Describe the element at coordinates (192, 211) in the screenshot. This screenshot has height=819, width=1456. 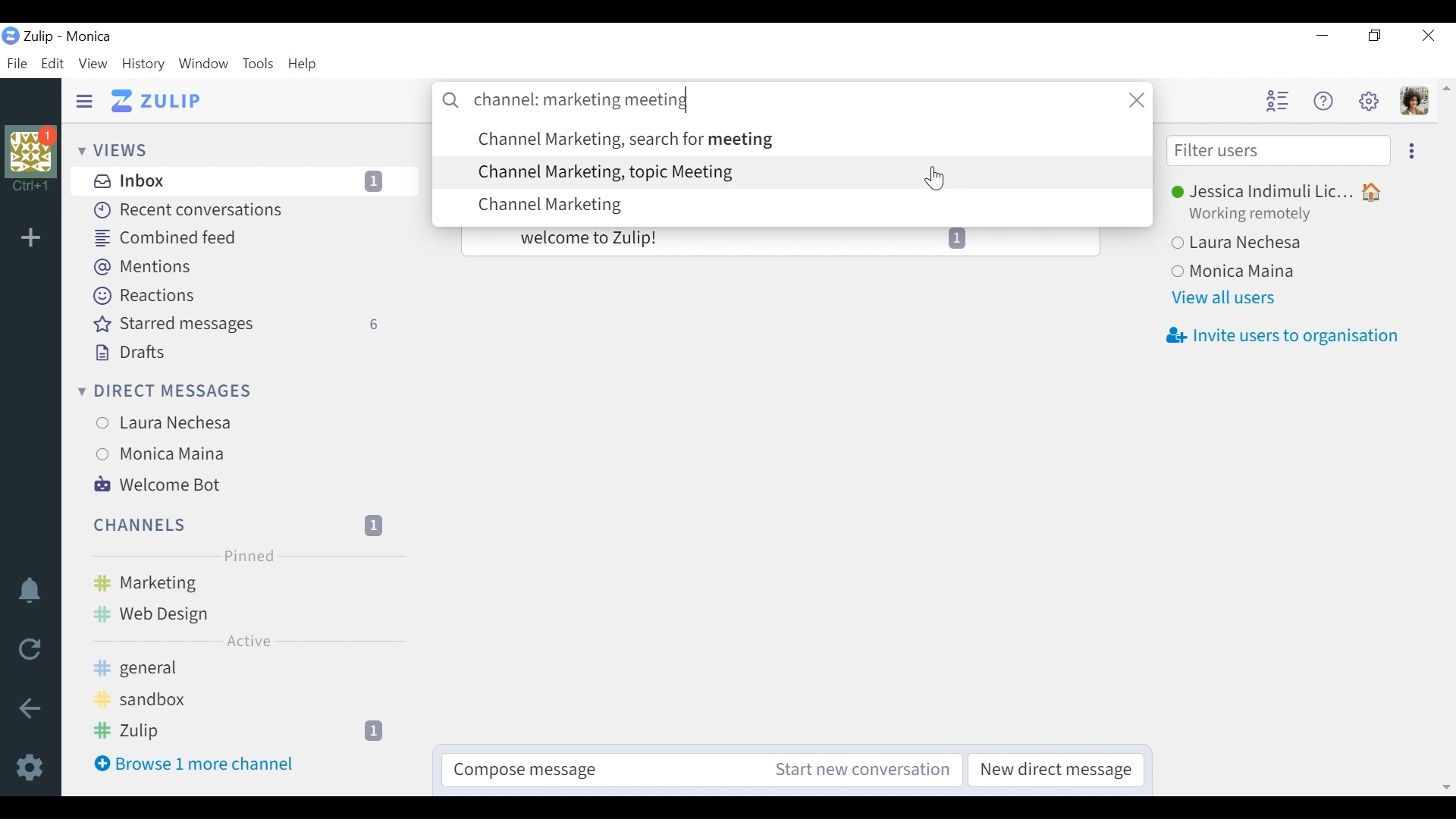
I see `Recent Conversations` at that location.